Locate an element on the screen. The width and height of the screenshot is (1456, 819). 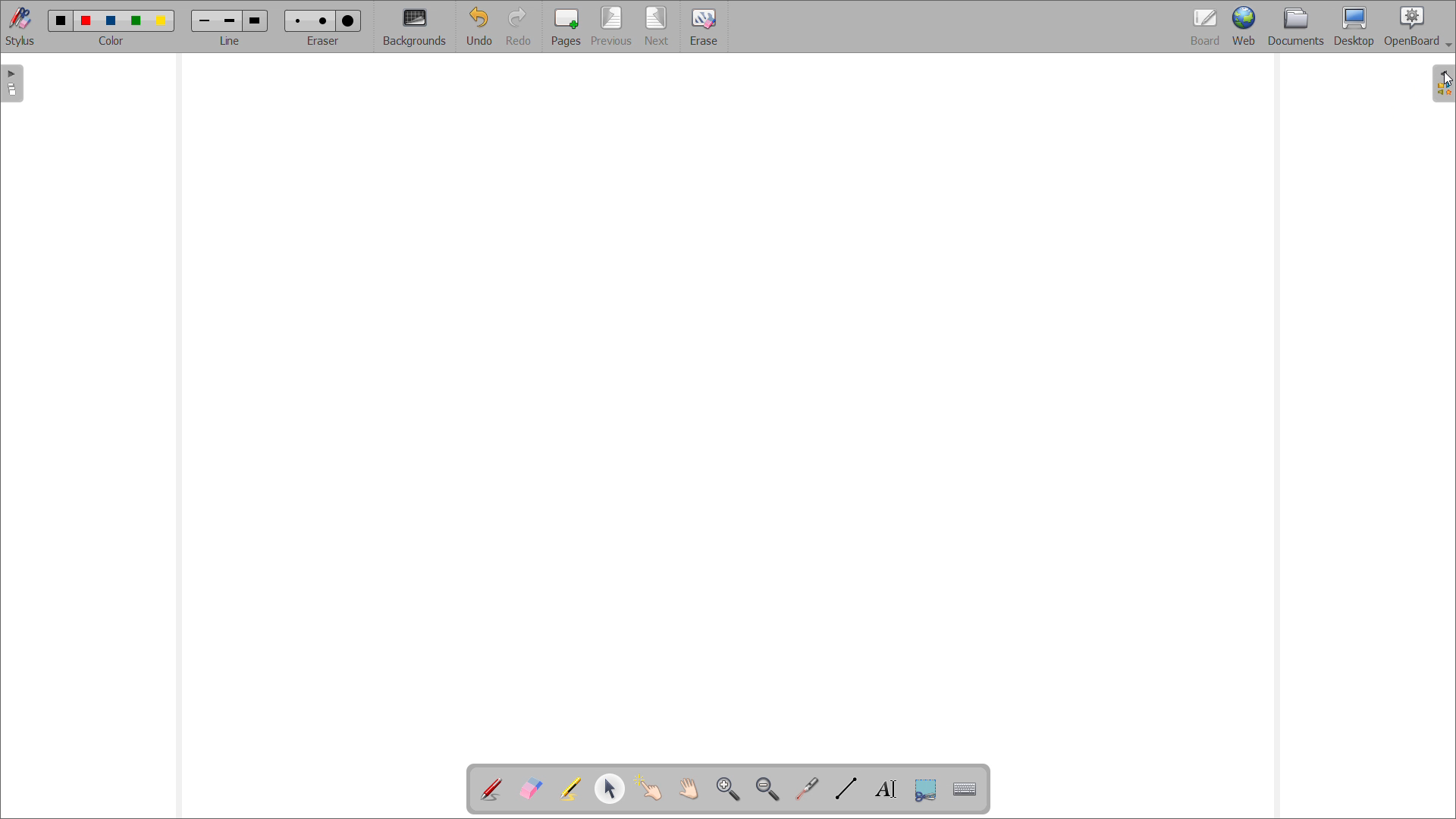
interact with items is located at coordinates (649, 788).